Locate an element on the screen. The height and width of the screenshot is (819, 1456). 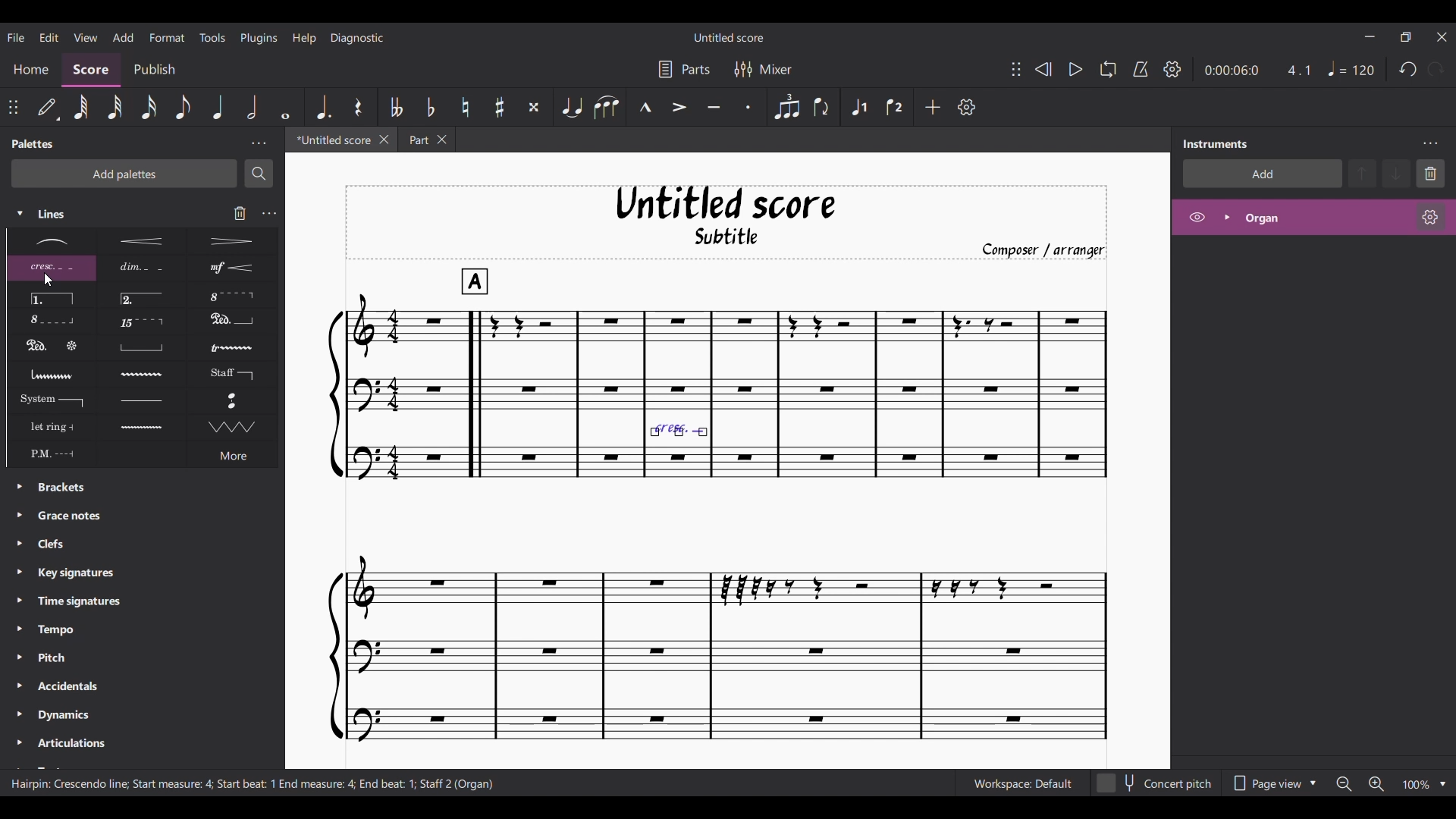
Delete is located at coordinates (1430, 174).